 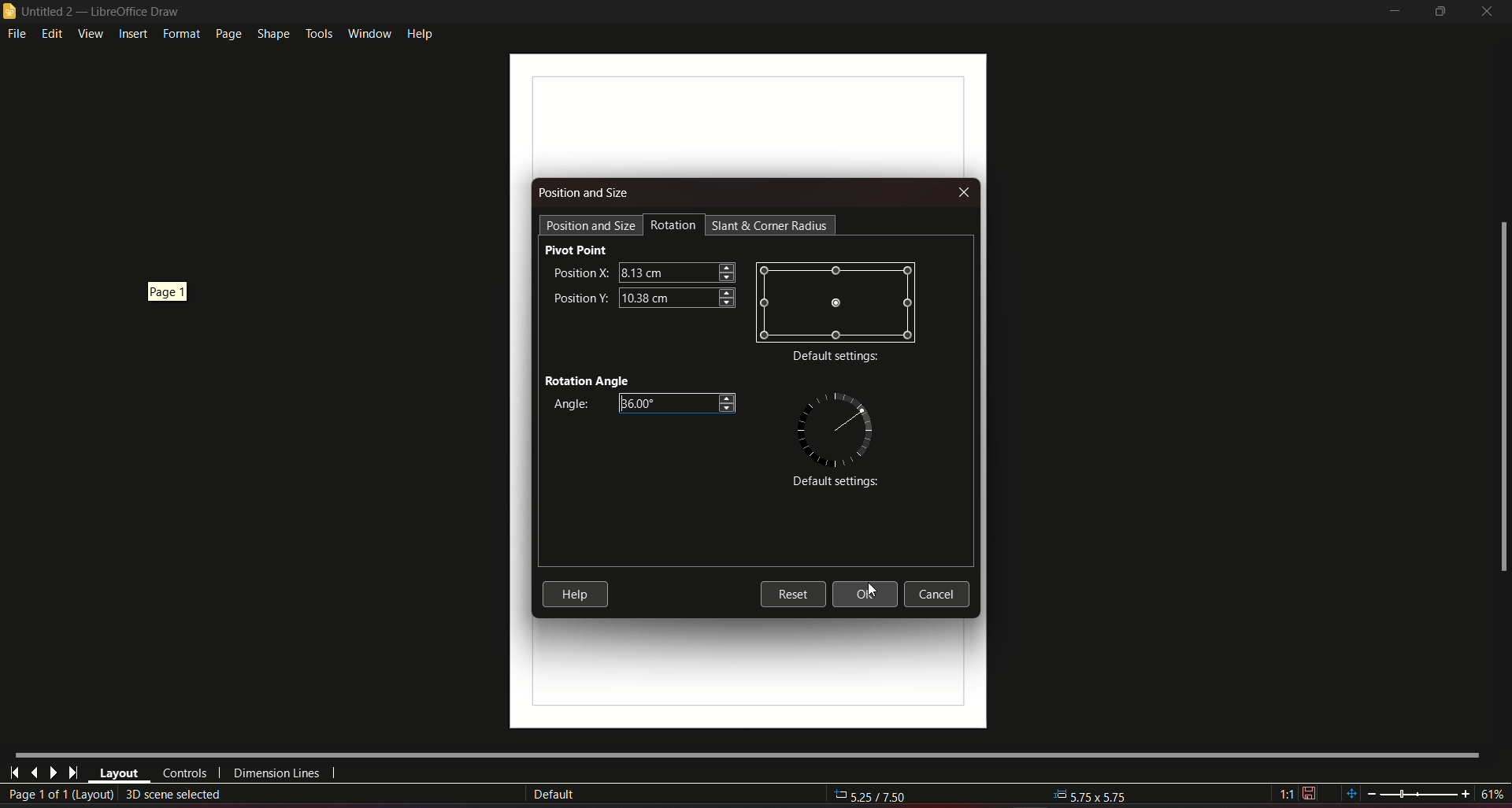 I want to click on Position X, so click(x=579, y=272).